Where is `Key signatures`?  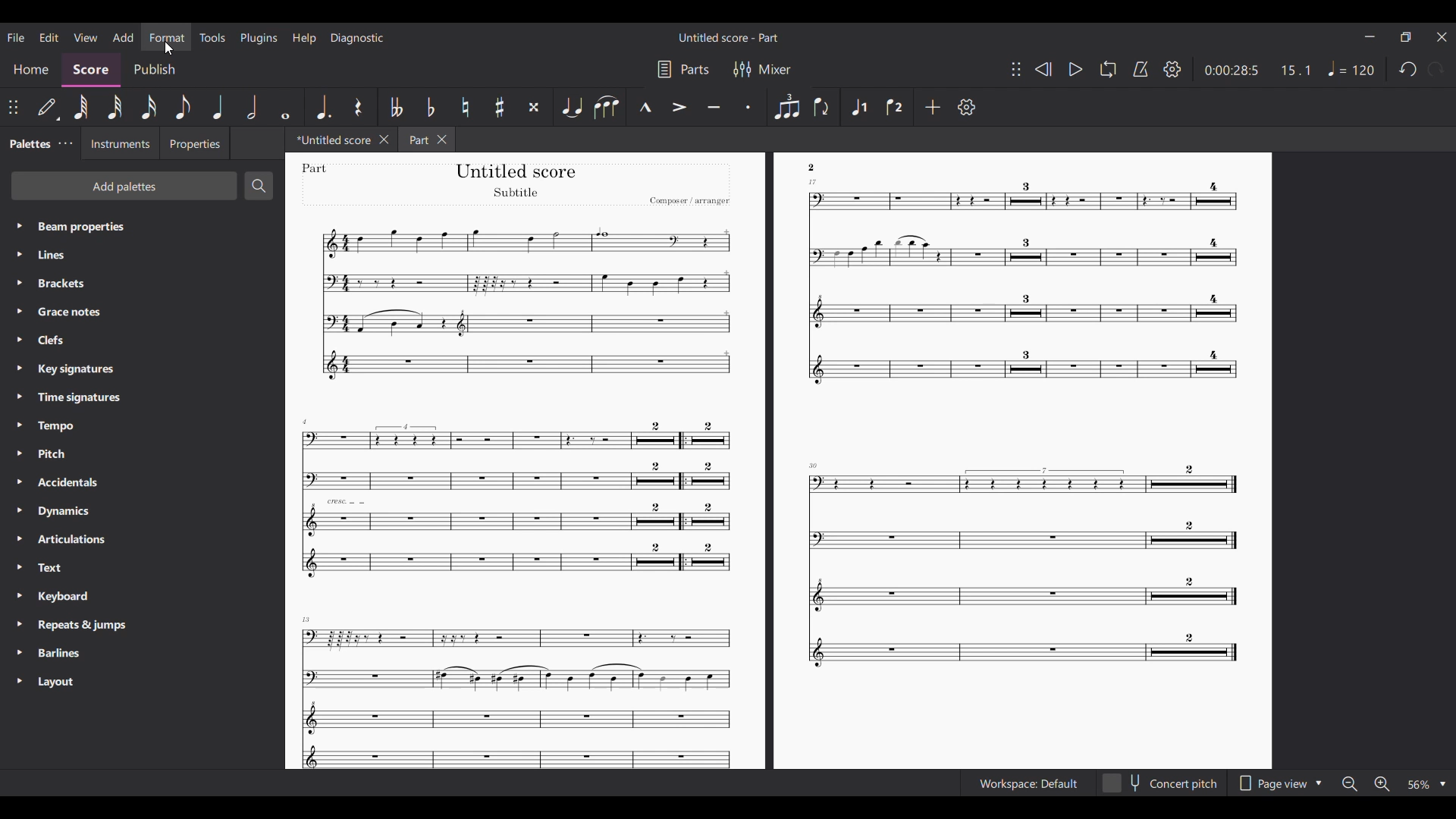 Key signatures is located at coordinates (70, 371).